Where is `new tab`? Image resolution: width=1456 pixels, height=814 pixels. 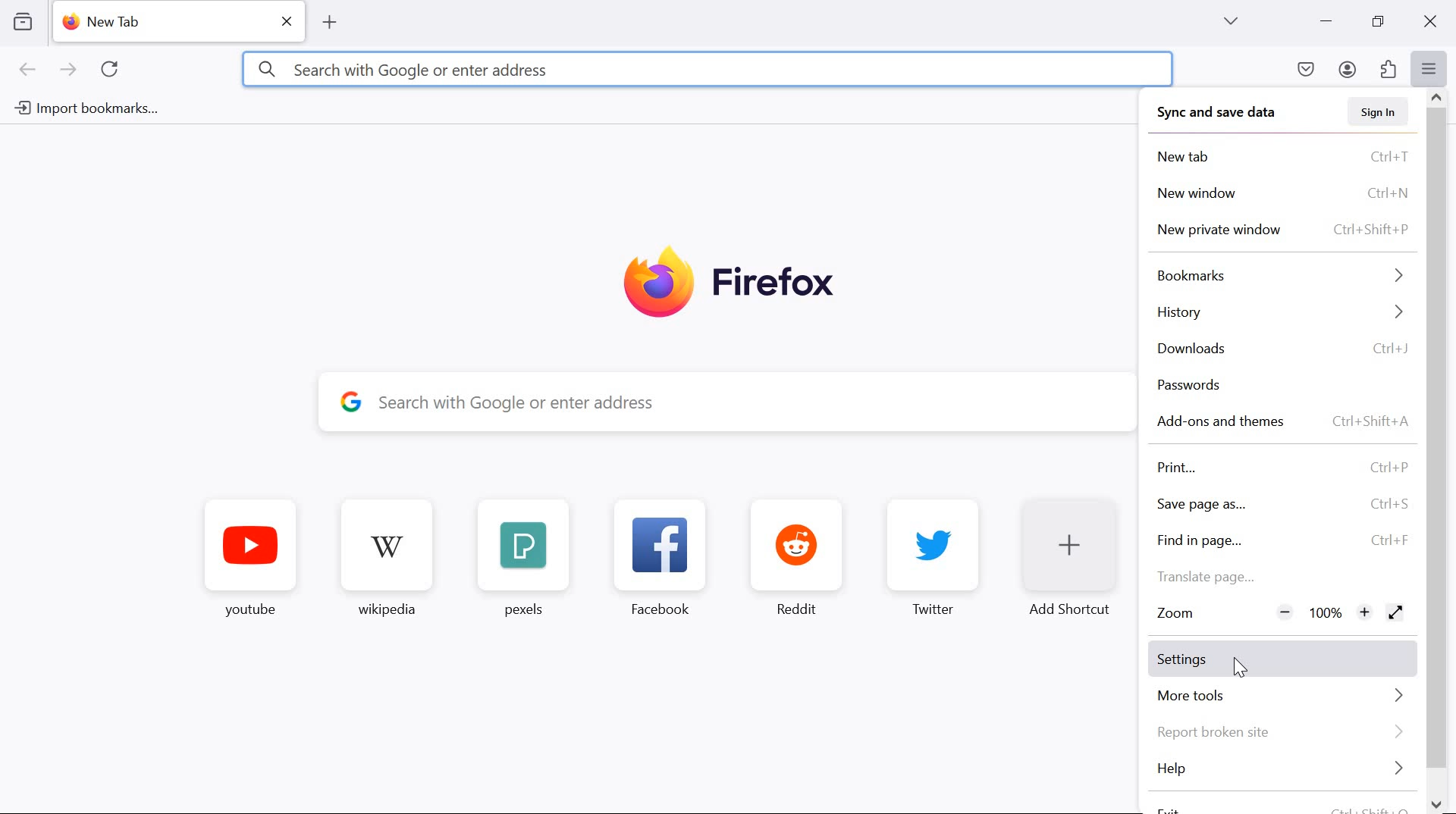 new tab is located at coordinates (183, 22).